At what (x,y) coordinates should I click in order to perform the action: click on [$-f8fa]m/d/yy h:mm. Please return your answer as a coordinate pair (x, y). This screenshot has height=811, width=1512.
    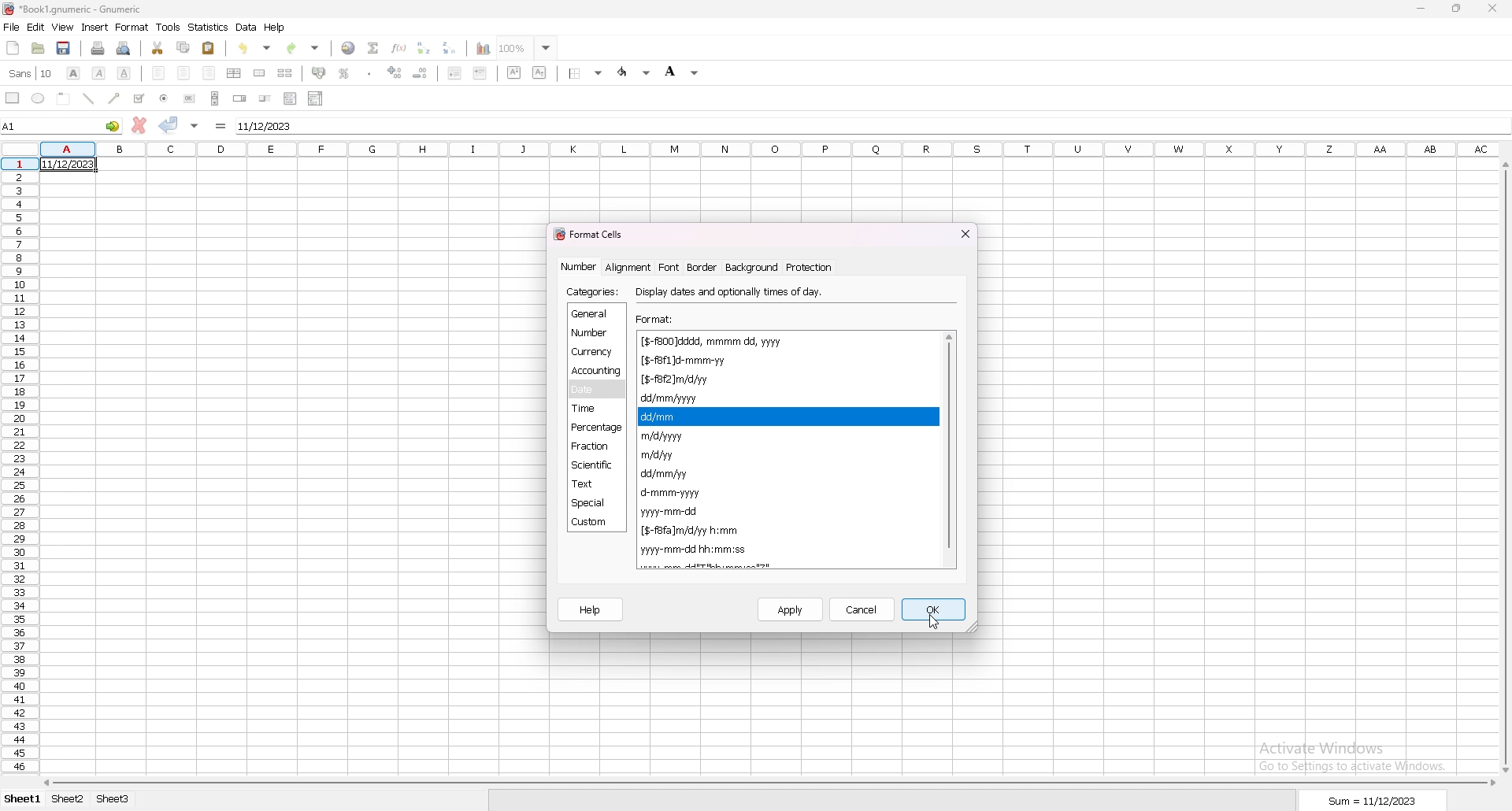
    Looking at the image, I should click on (690, 531).